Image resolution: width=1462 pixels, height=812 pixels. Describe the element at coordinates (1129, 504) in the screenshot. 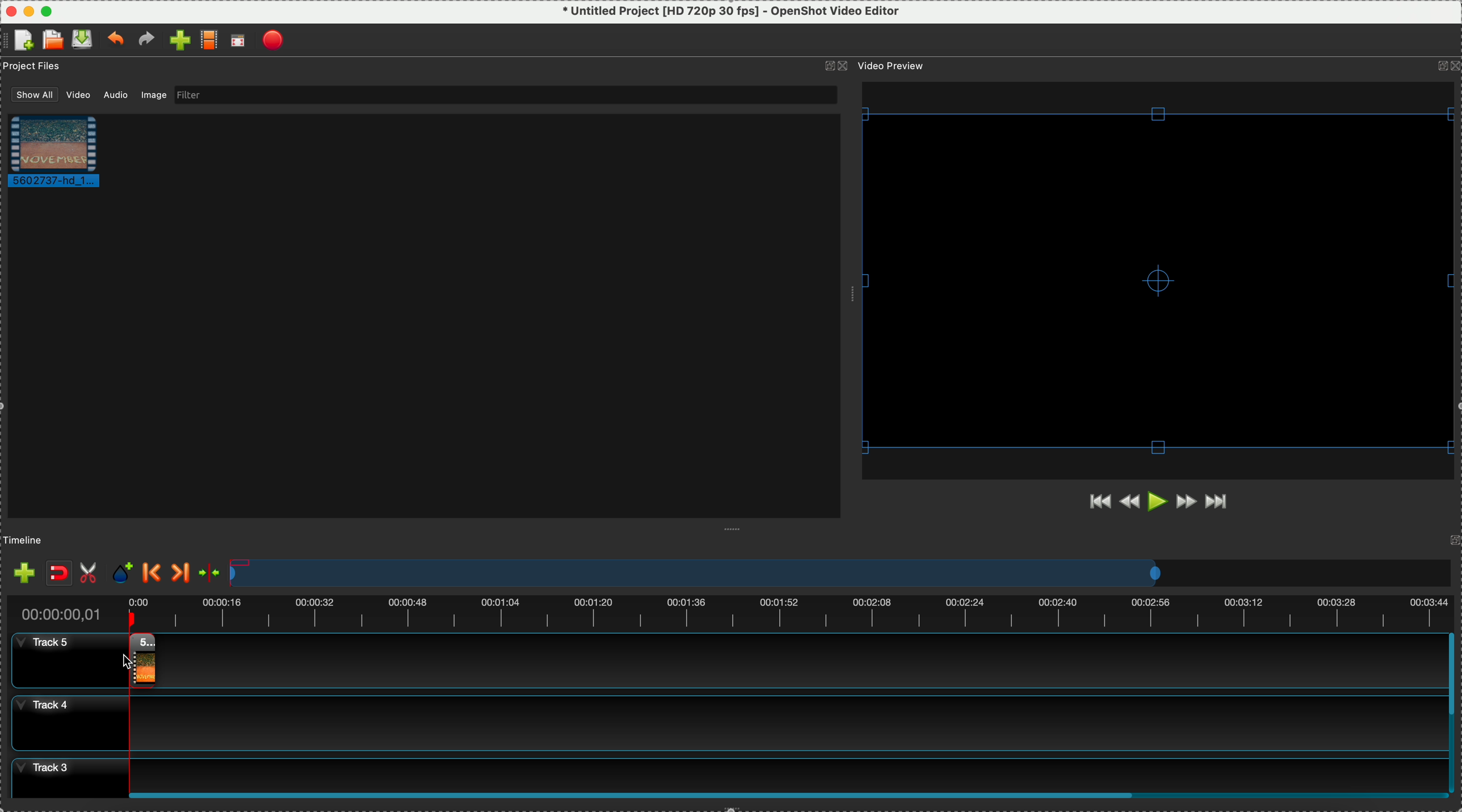

I see `rewind` at that location.